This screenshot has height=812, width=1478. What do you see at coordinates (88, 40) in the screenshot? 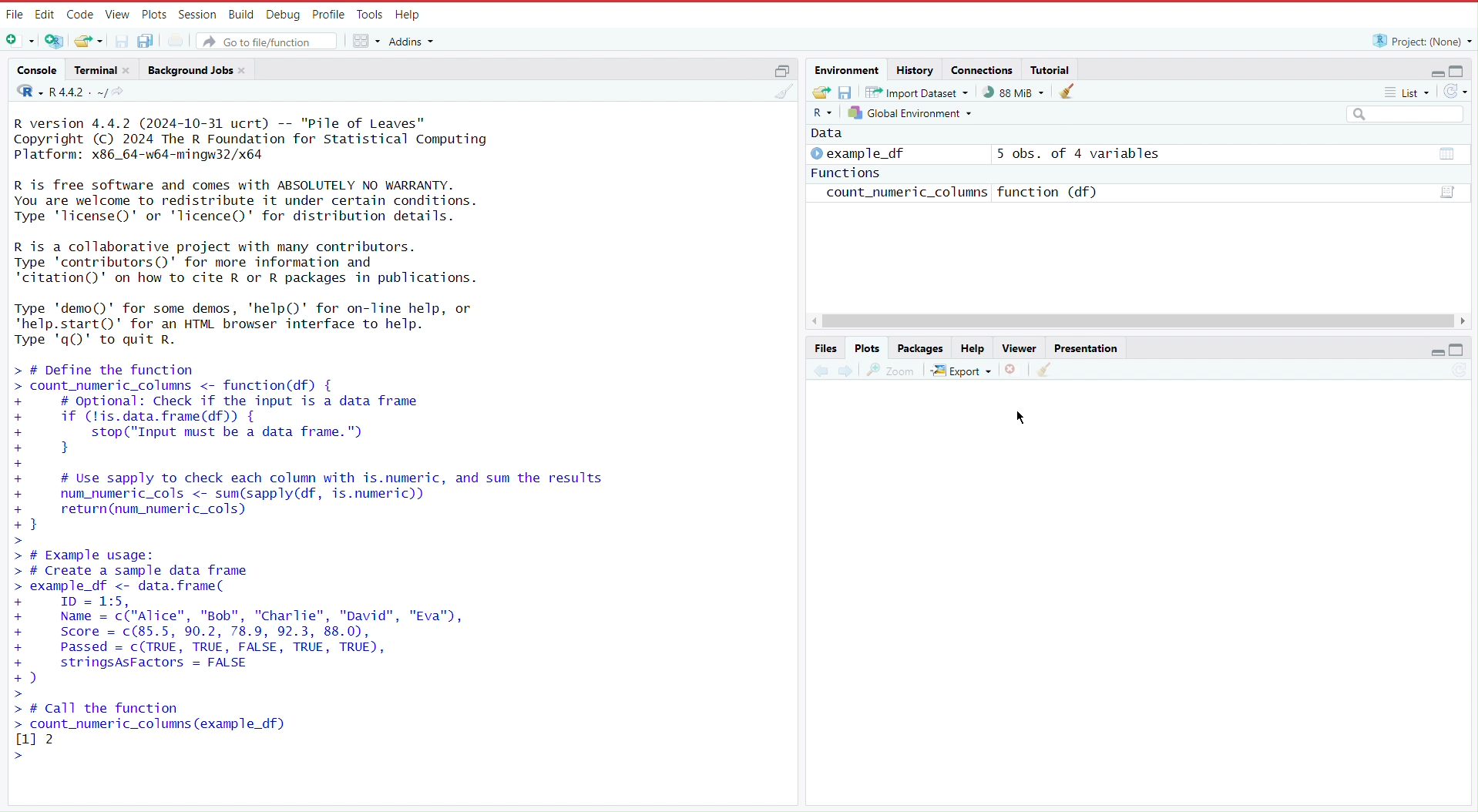
I see `Open an existing file (Ctrl + O)` at bounding box center [88, 40].